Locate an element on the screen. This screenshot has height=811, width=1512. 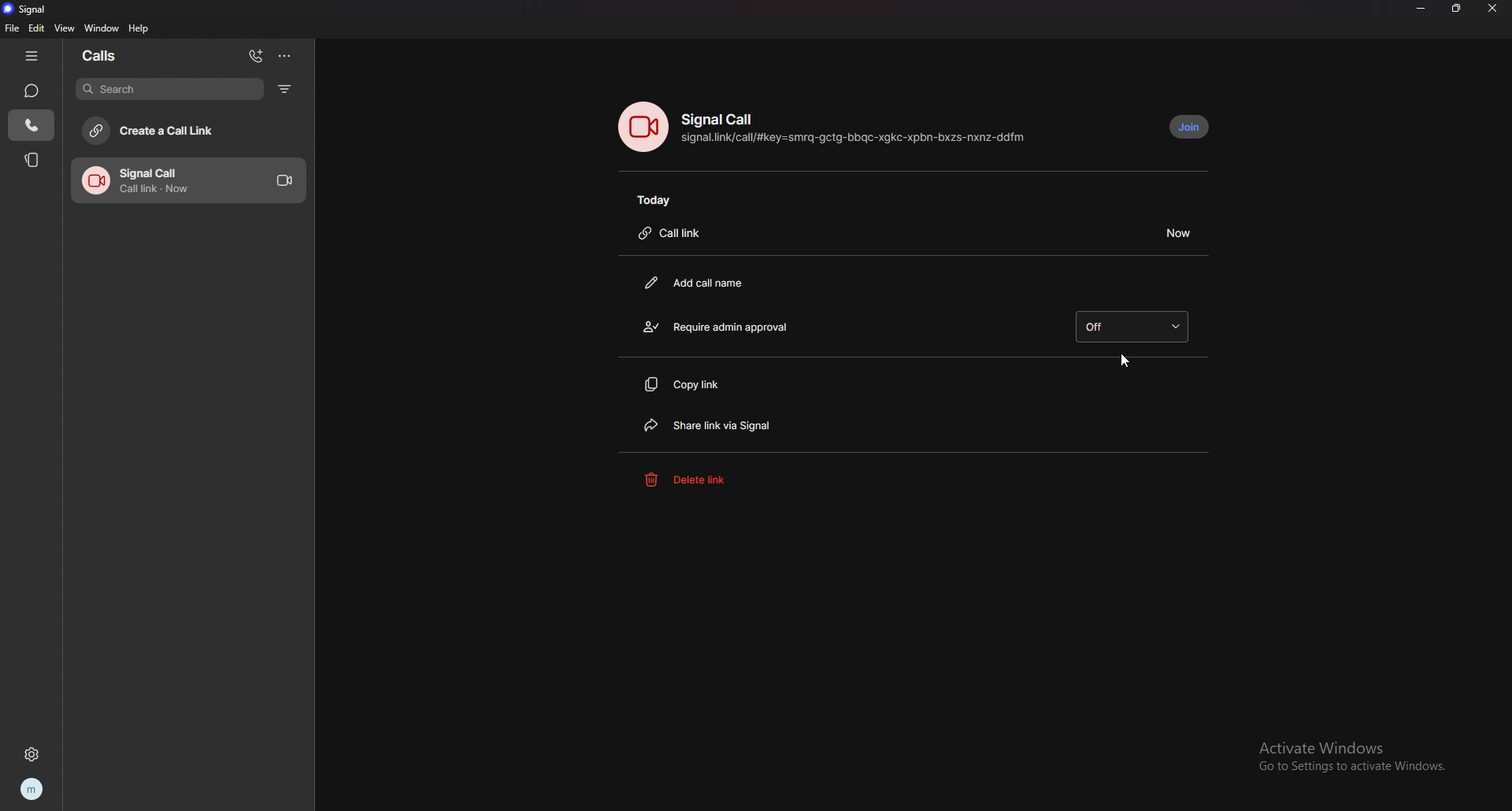
edit is located at coordinates (36, 28).